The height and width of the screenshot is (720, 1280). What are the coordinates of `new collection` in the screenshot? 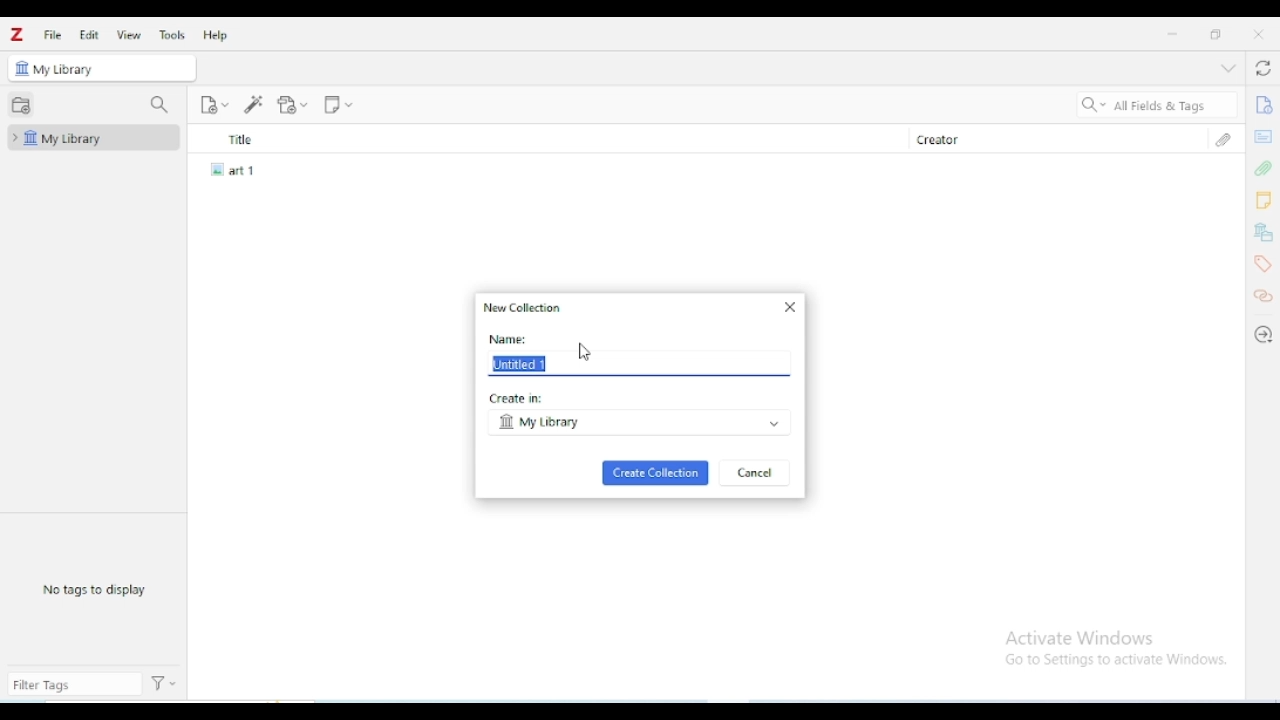 It's located at (525, 308).